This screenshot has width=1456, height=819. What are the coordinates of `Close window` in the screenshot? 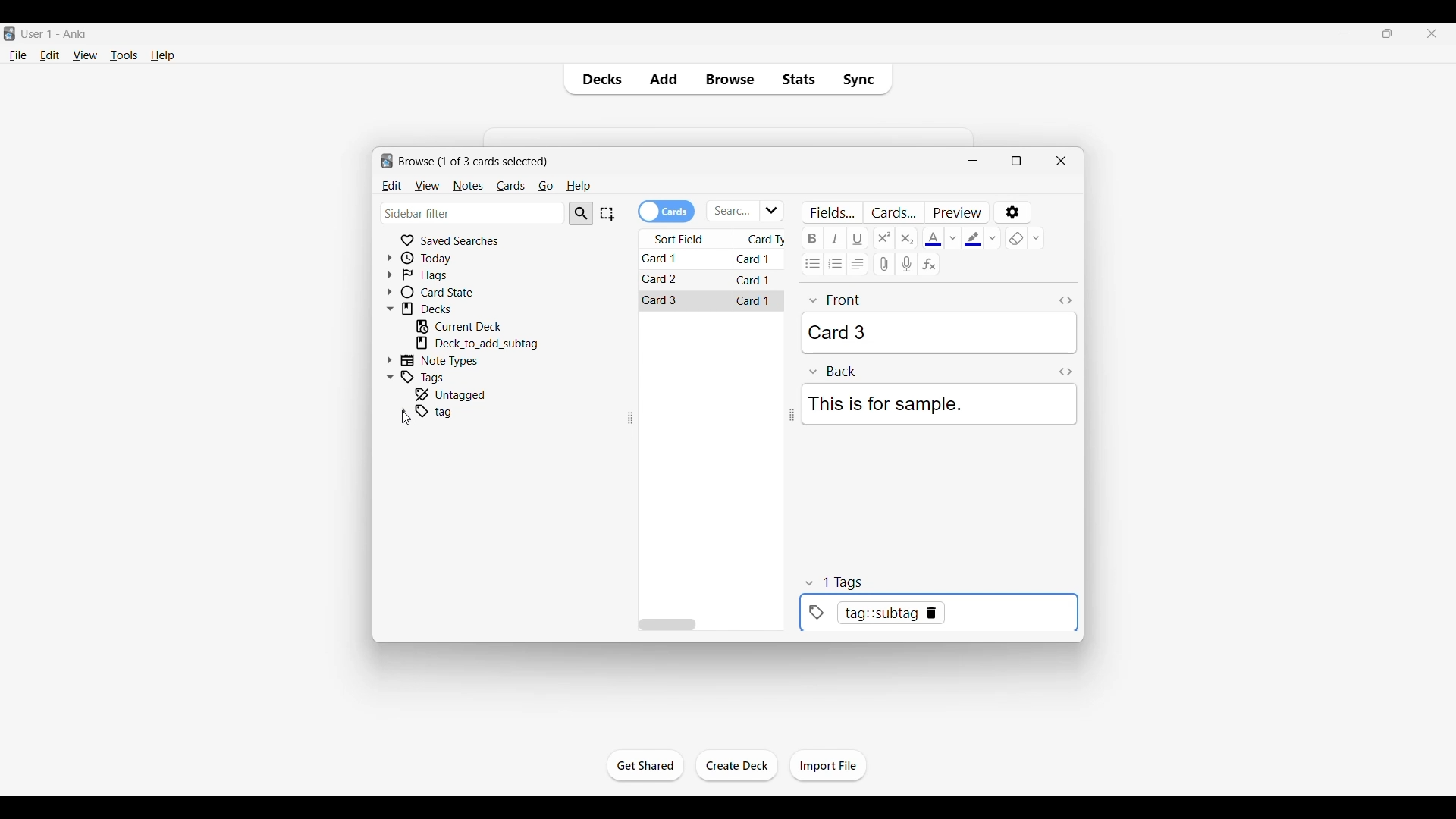 It's located at (1062, 161).